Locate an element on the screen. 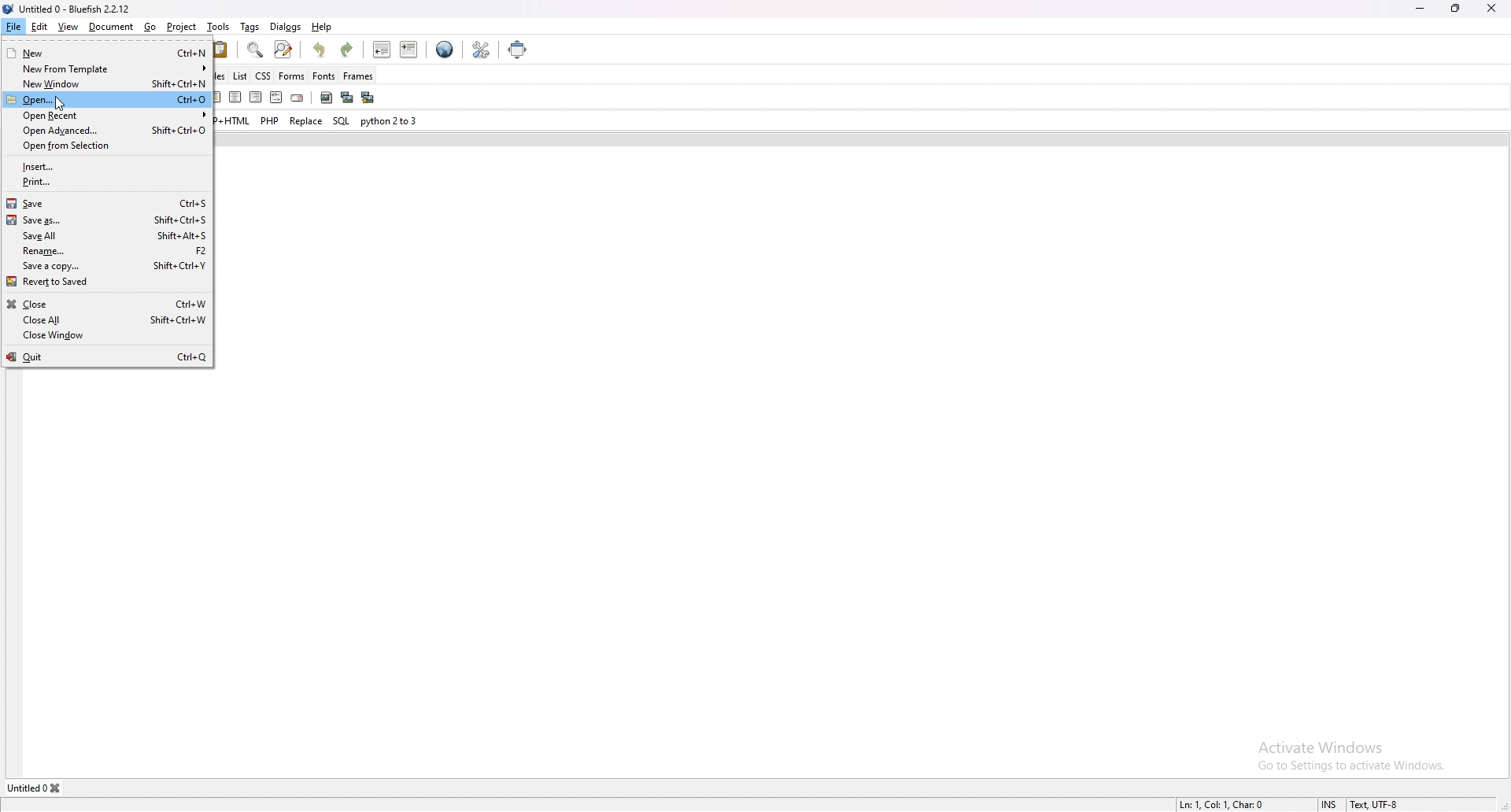  edit is located at coordinates (39, 28).